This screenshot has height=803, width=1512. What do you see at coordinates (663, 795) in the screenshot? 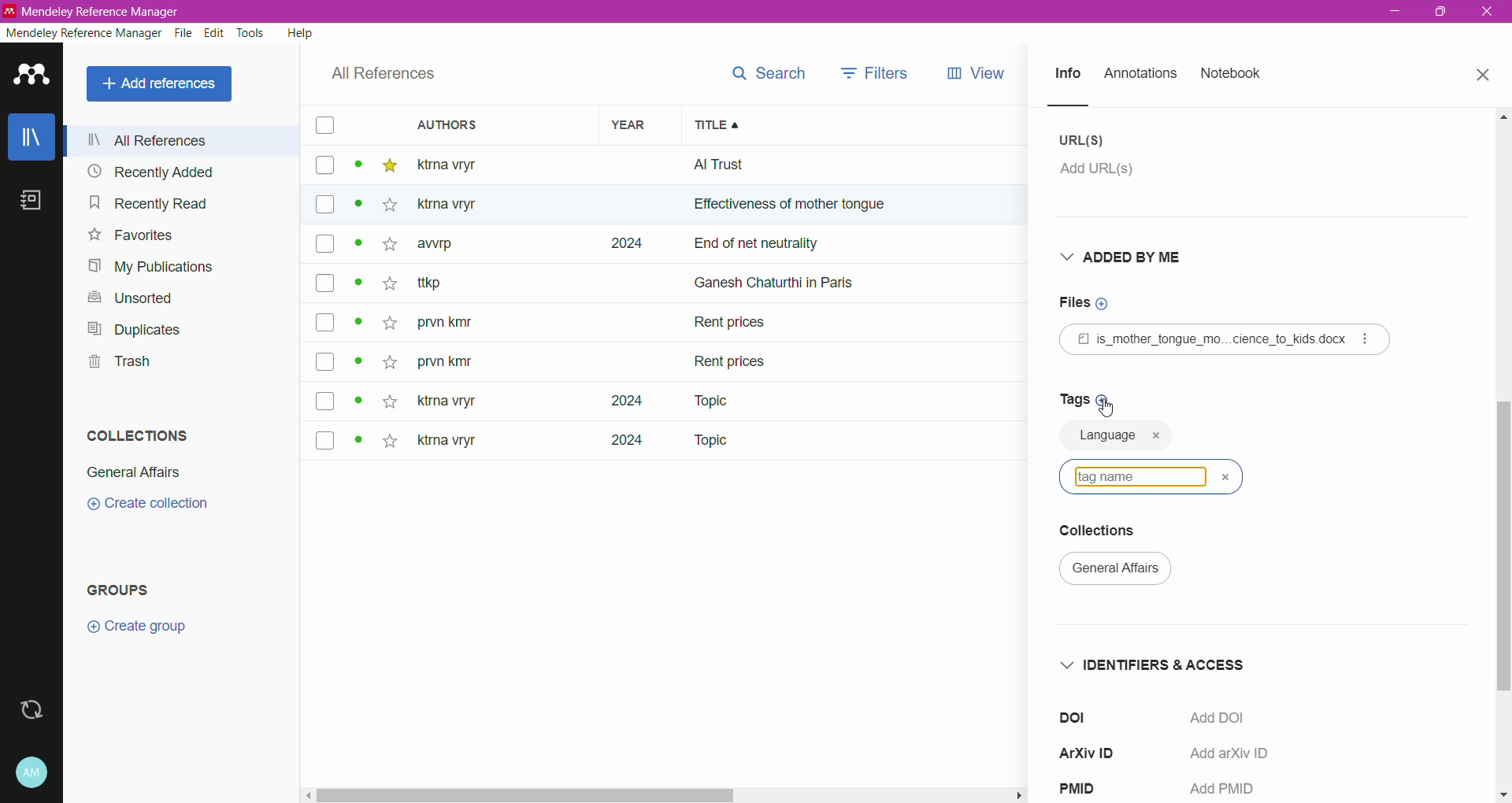
I see `task bar` at bounding box center [663, 795].